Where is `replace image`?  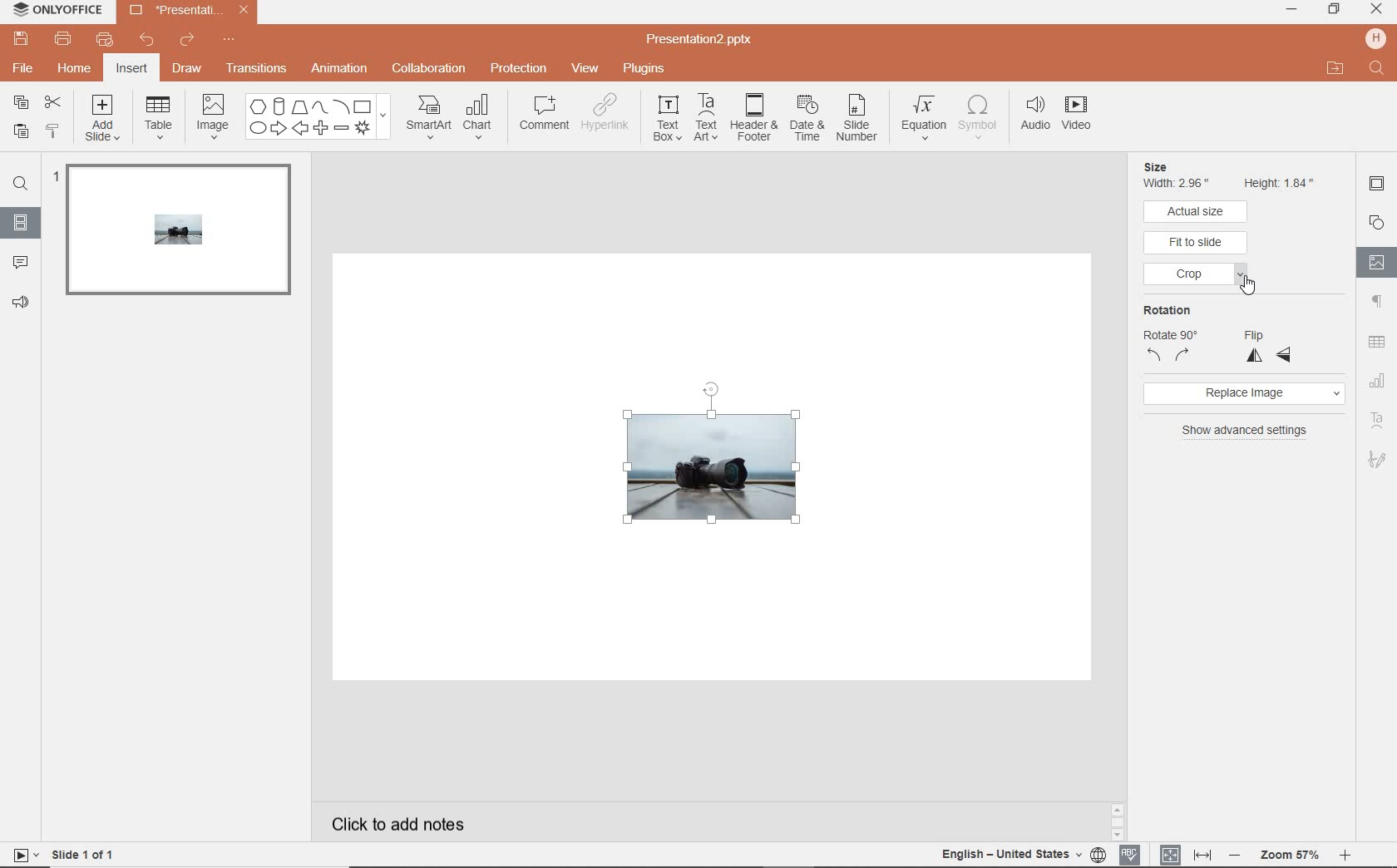 replace image is located at coordinates (1246, 393).